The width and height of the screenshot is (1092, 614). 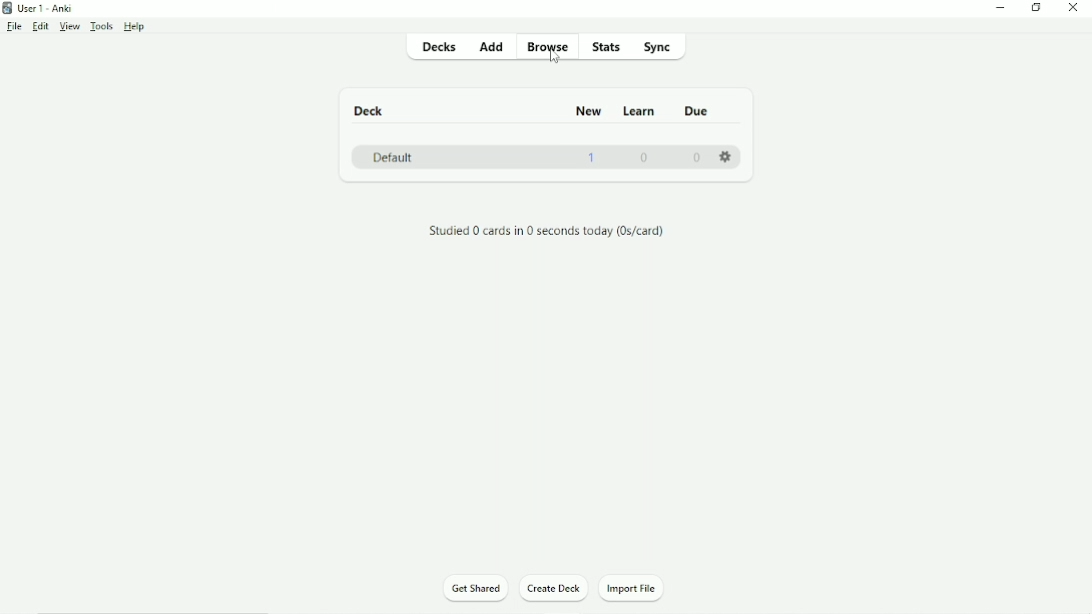 I want to click on Browse, so click(x=550, y=45).